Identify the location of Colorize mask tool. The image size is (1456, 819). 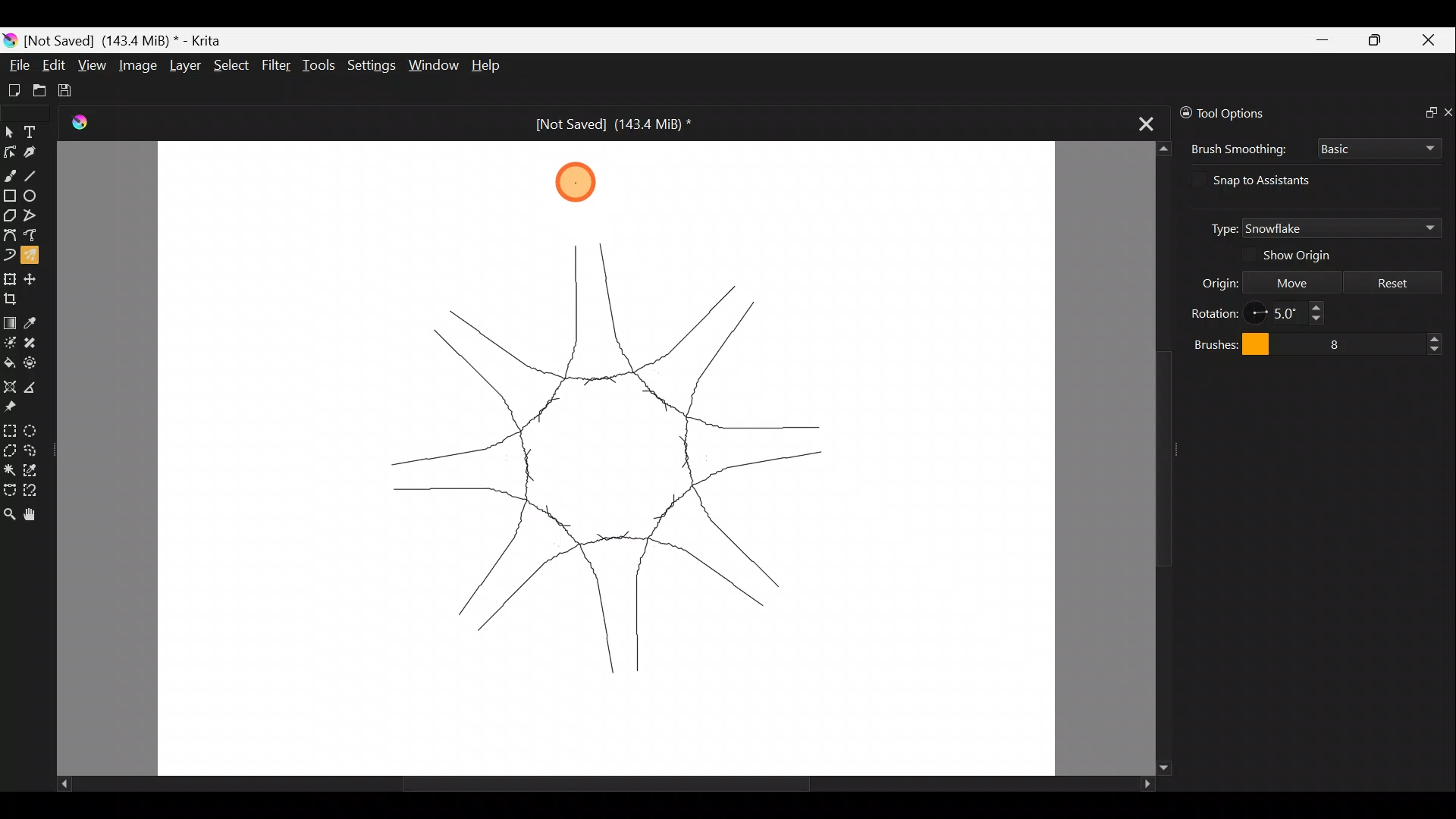
(9, 342).